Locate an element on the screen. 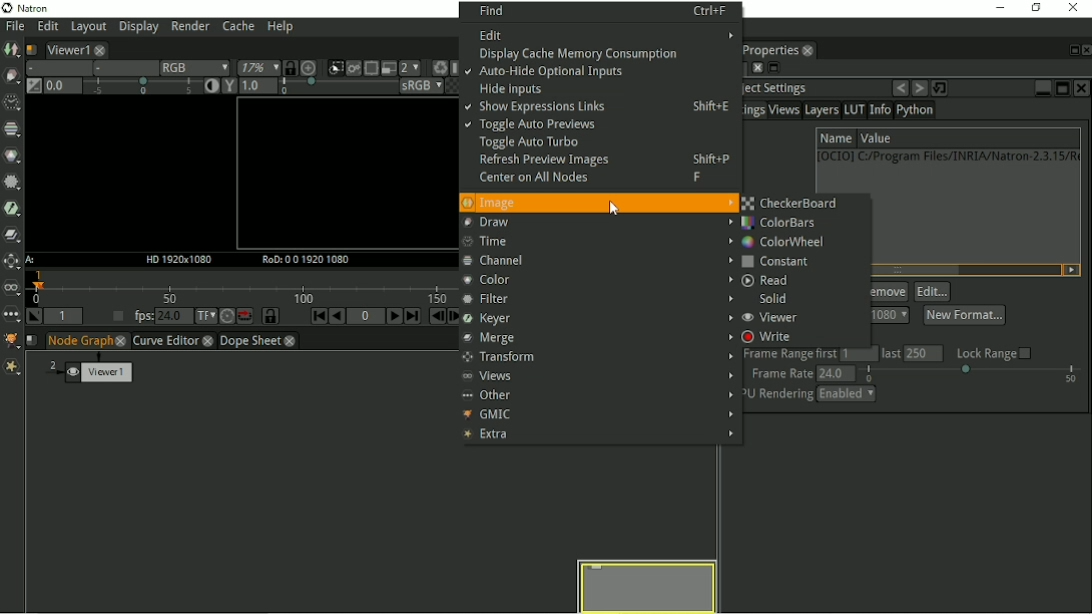  Zoom is located at coordinates (255, 68).